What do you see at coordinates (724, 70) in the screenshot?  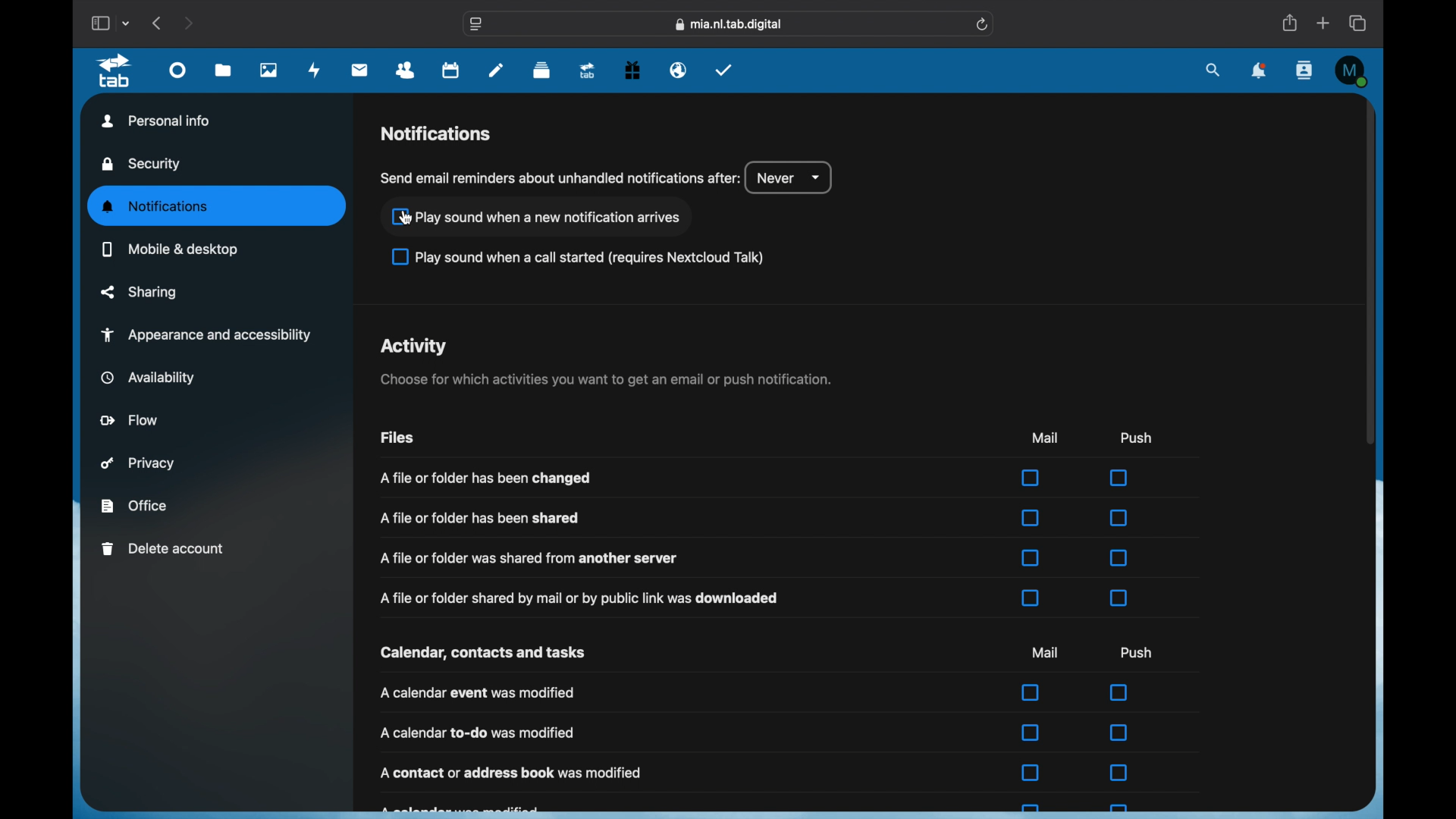 I see `tasks` at bounding box center [724, 70].